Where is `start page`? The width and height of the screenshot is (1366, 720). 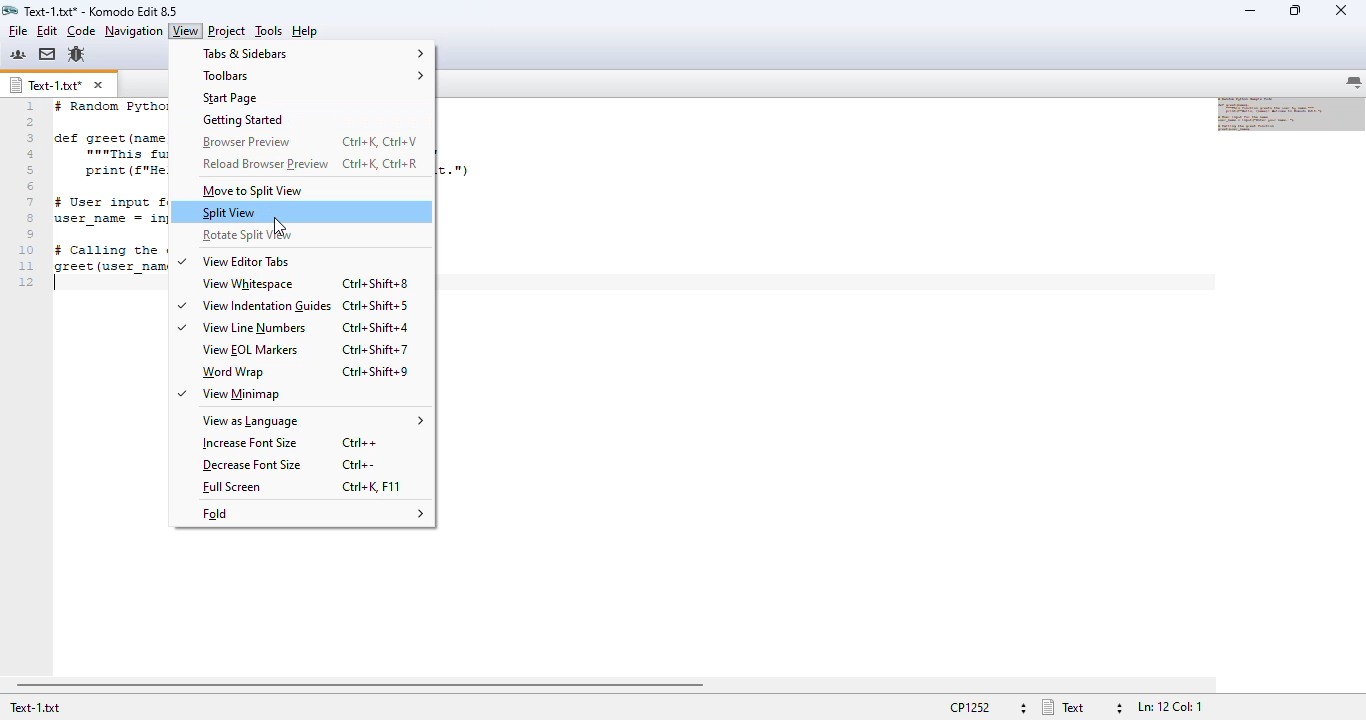 start page is located at coordinates (229, 98).